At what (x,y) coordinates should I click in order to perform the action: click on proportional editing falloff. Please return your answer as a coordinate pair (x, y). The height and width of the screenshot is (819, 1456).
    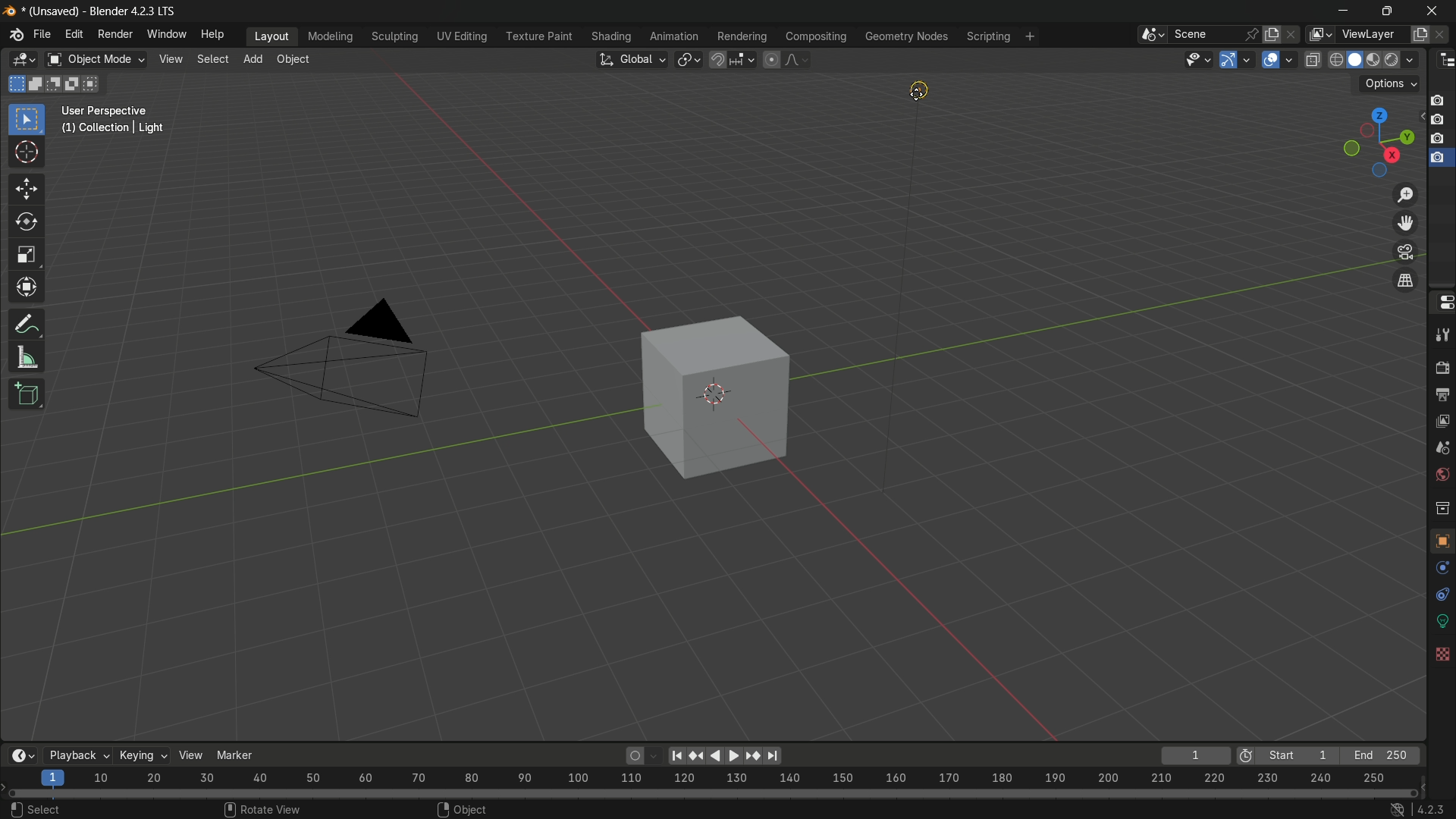
    Looking at the image, I should click on (799, 59).